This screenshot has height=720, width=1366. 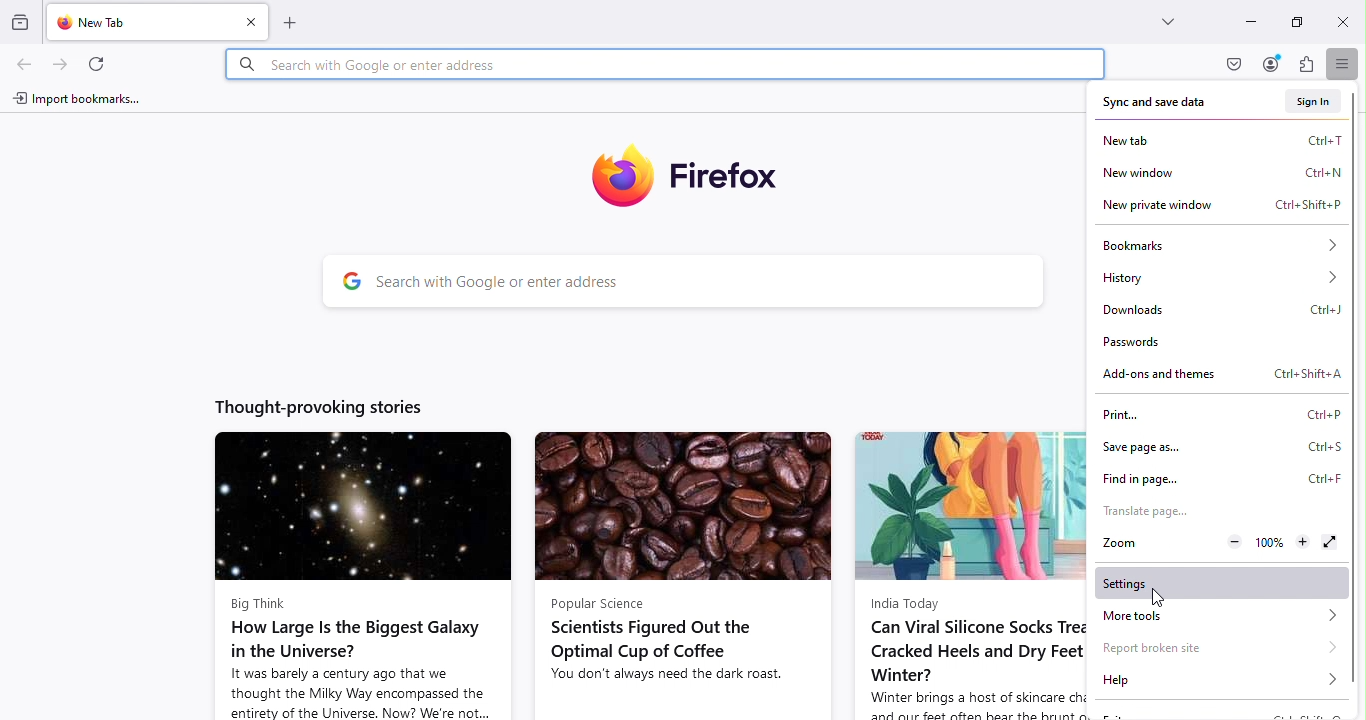 What do you see at coordinates (1220, 307) in the screenshot?
I see `Downloads` at bounding box center [1220, 307].